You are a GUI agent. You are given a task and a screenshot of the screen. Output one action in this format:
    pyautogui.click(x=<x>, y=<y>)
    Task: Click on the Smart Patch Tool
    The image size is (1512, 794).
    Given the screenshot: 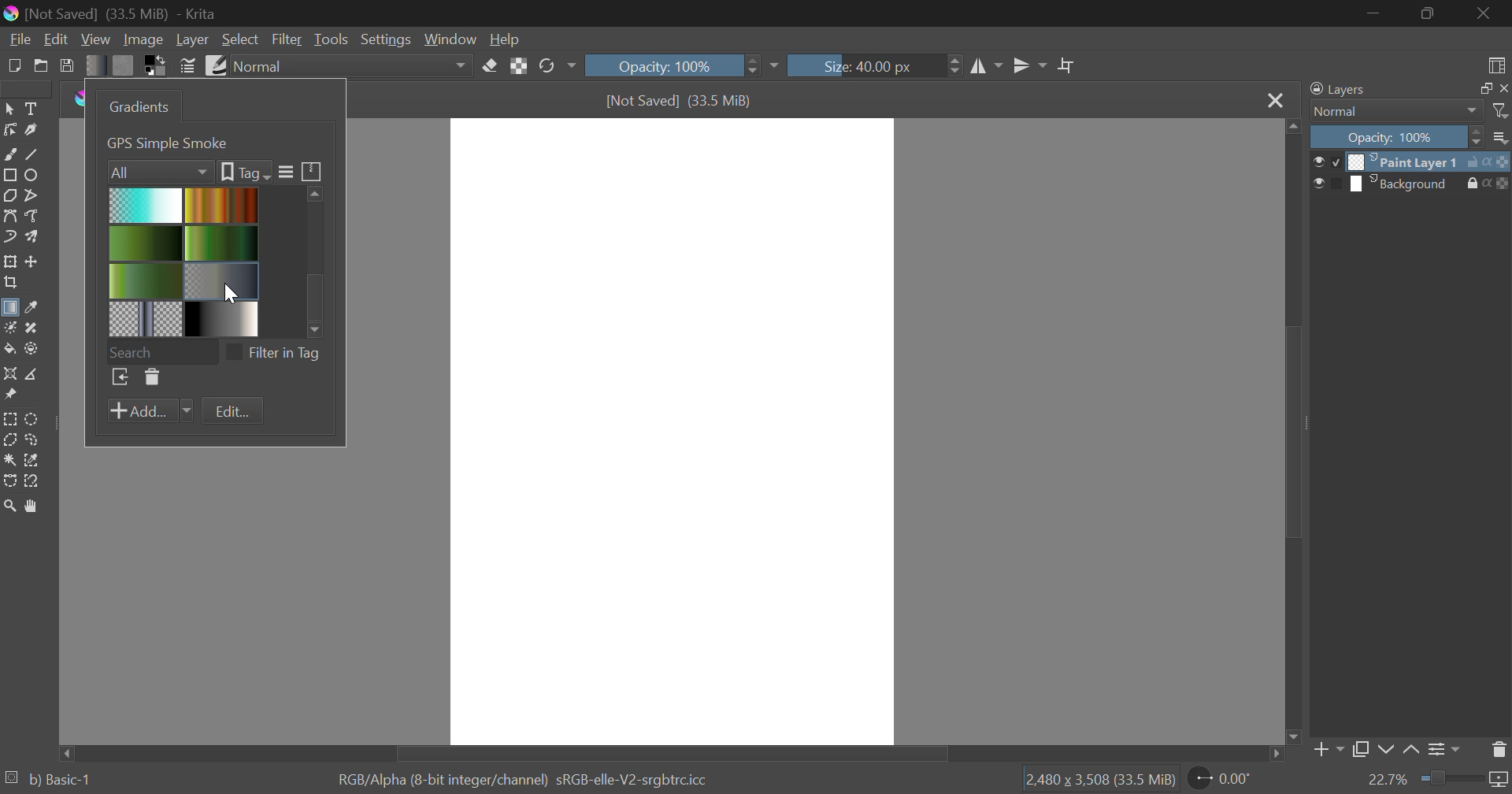 What is the action you would take?
    pyautogui.click(x=32, y=329)
    